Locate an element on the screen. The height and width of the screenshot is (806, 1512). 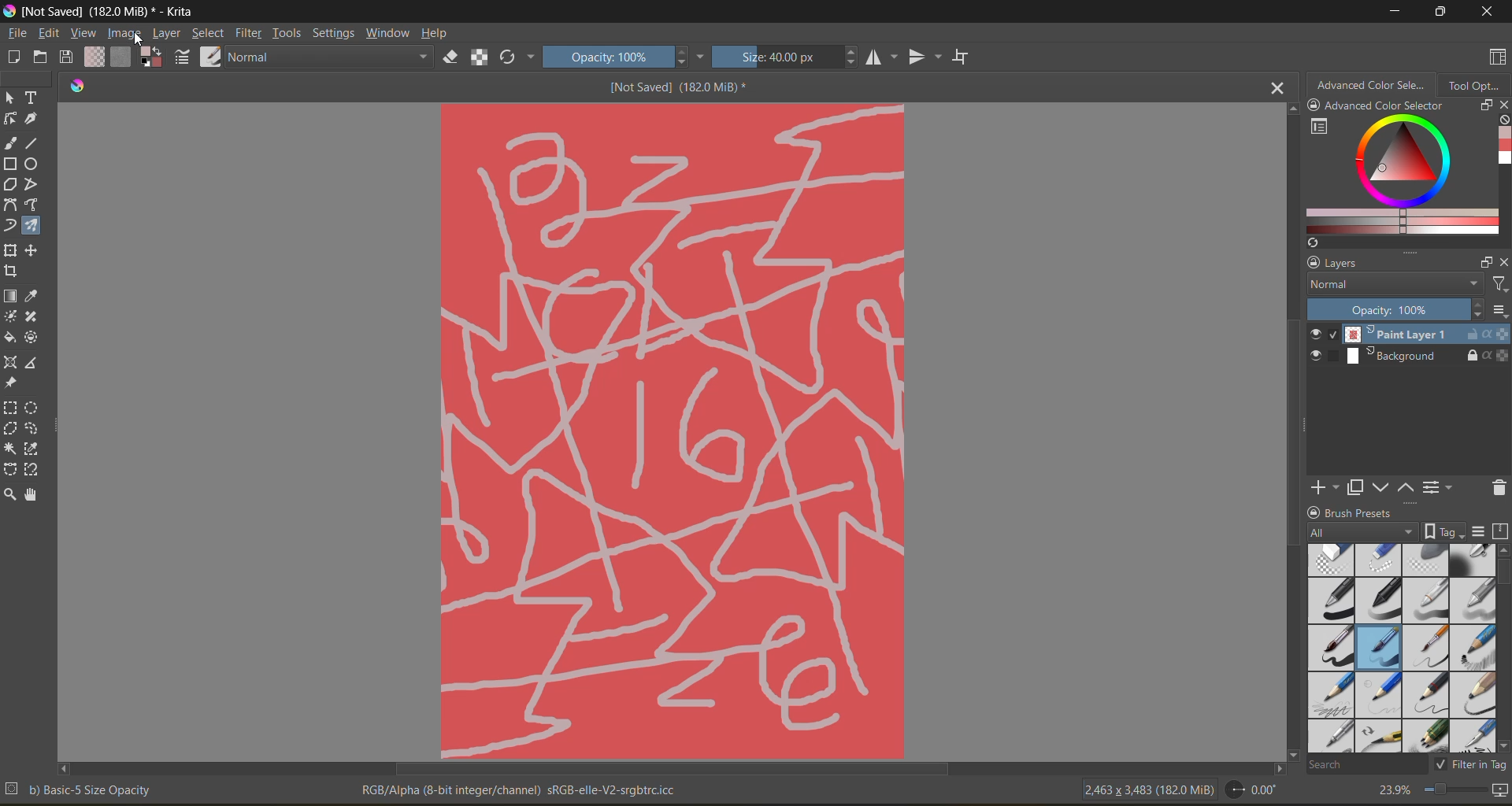
duplicate is located at coordinates (1354, 487).